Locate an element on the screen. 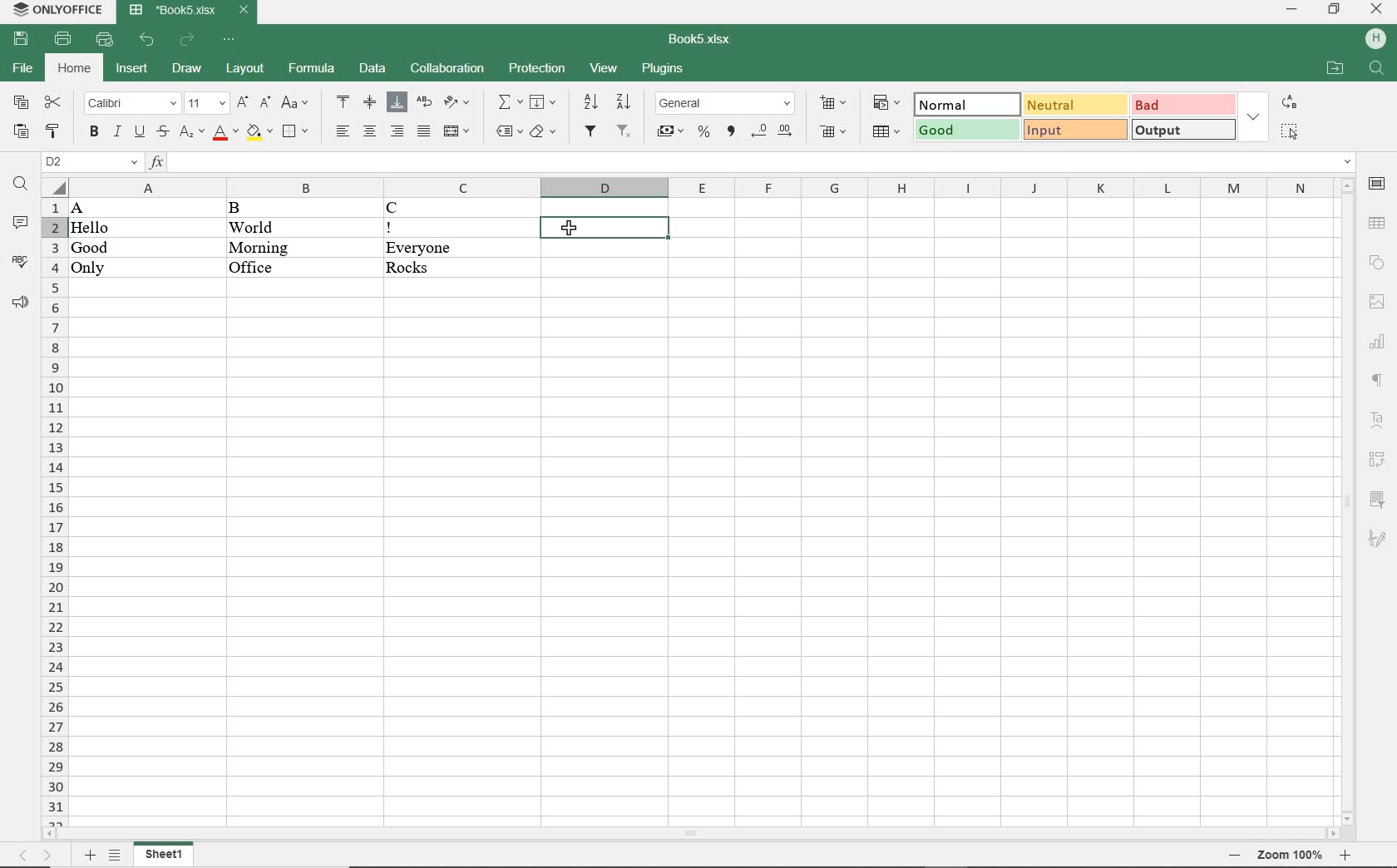  SHEET1 is located at coordinates (166, 854).